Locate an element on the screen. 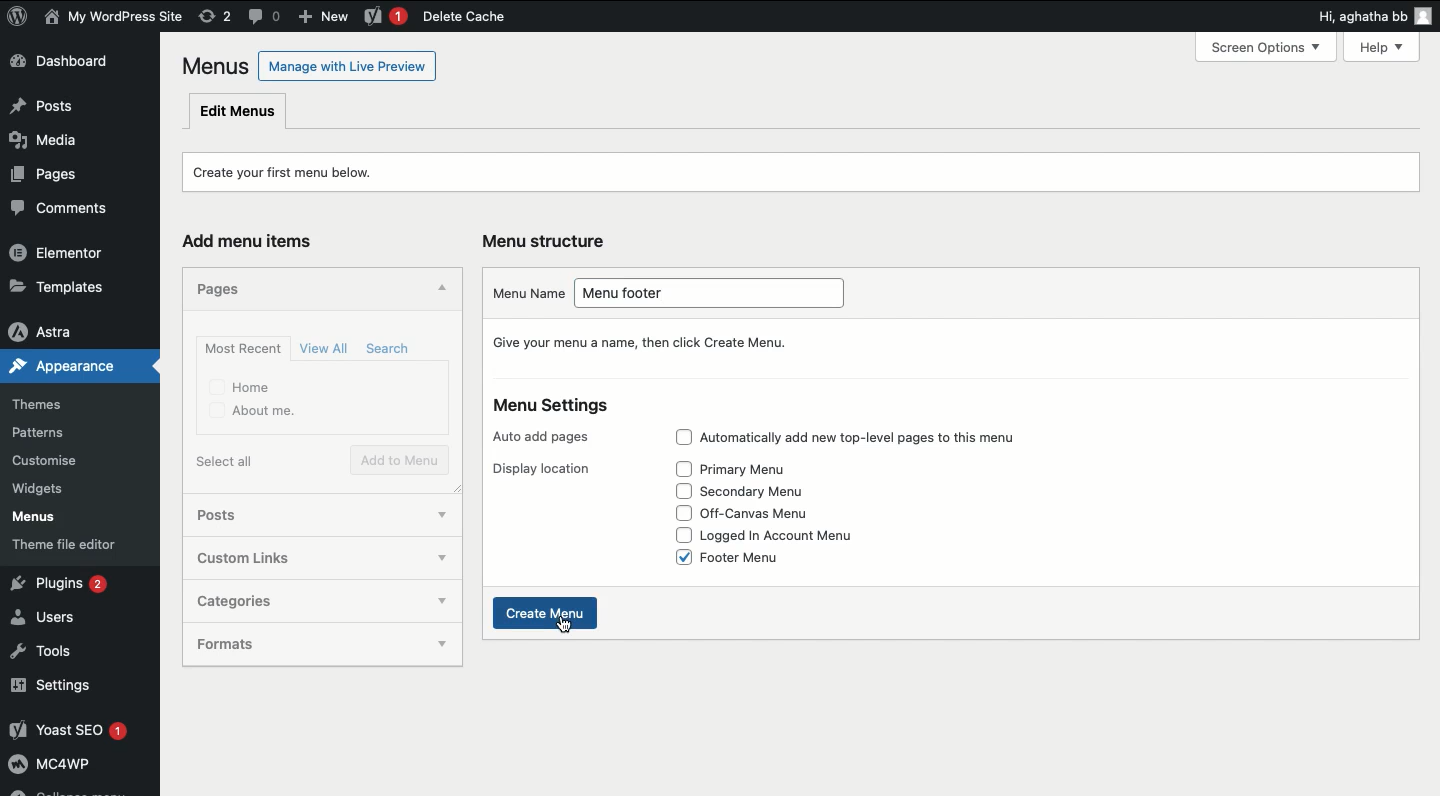  Appearance is located at coordinates (58, 370).